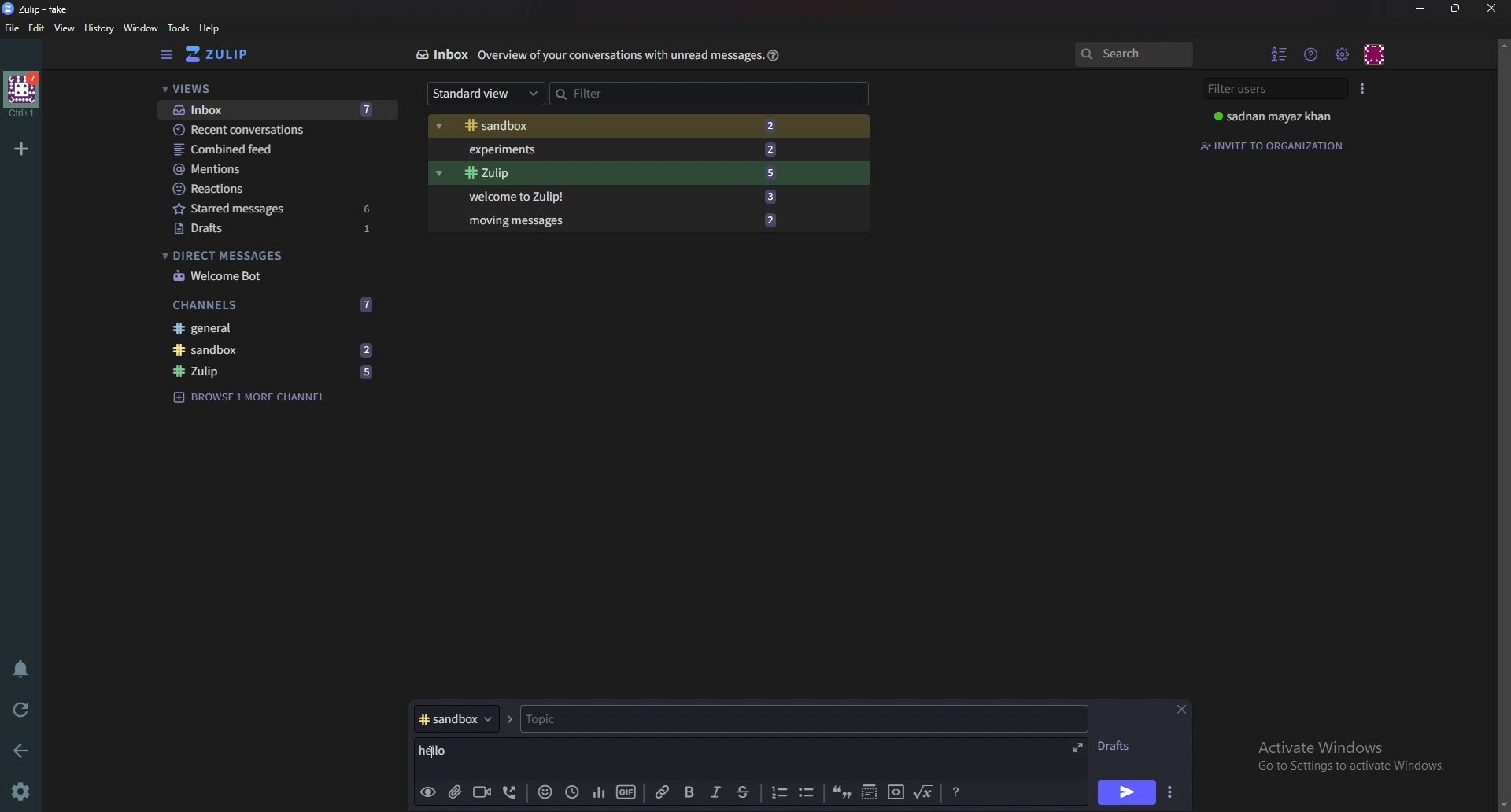 The image size is (1511, 812). What do you see at coordinates (1311, 54) in the screenshot?
I see `Help menu` at bounding box center [1311, 54].